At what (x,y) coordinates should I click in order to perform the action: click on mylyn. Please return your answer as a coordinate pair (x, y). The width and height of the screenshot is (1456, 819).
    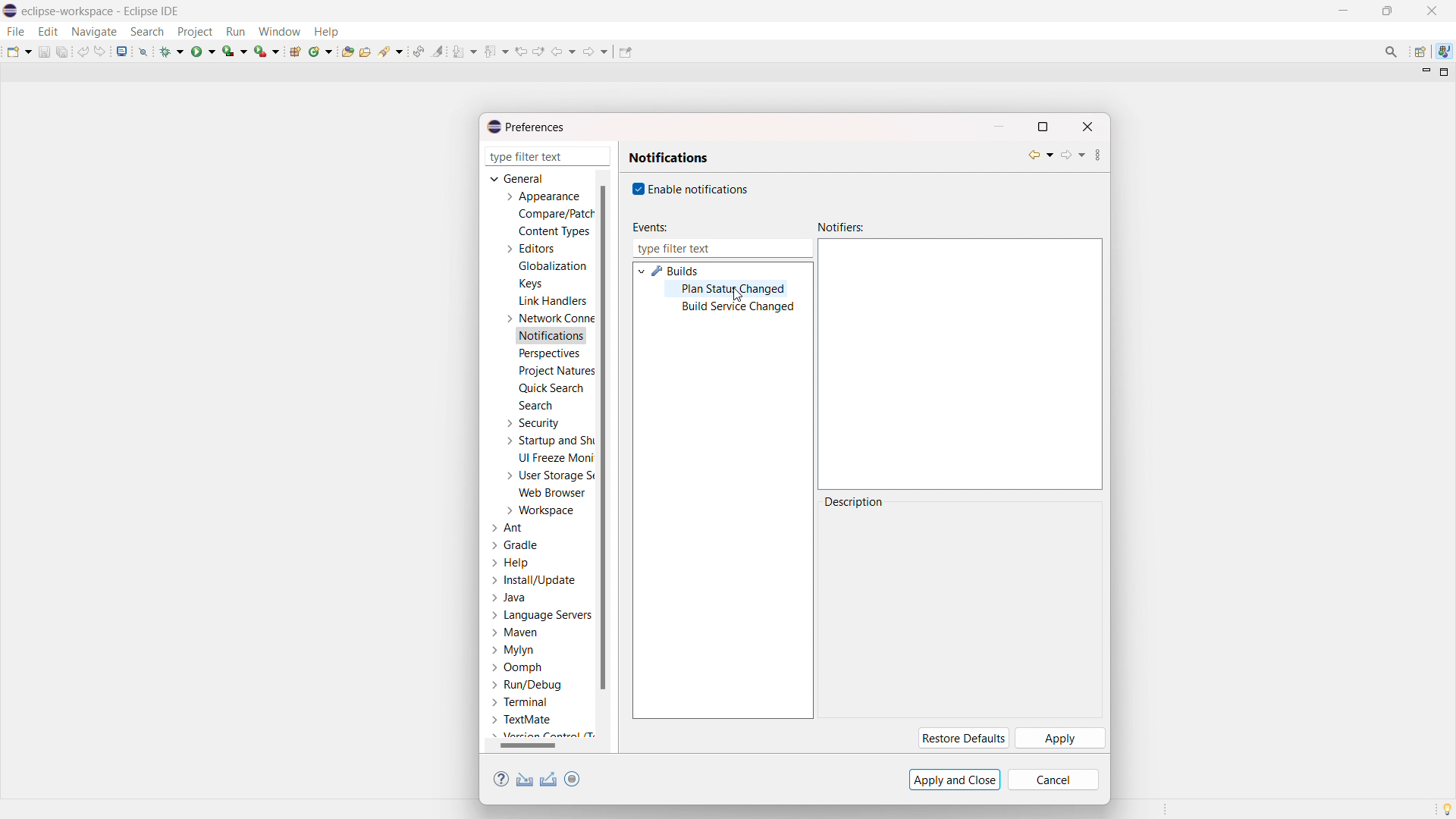
    Looking at the image, I should click on (513, 651).